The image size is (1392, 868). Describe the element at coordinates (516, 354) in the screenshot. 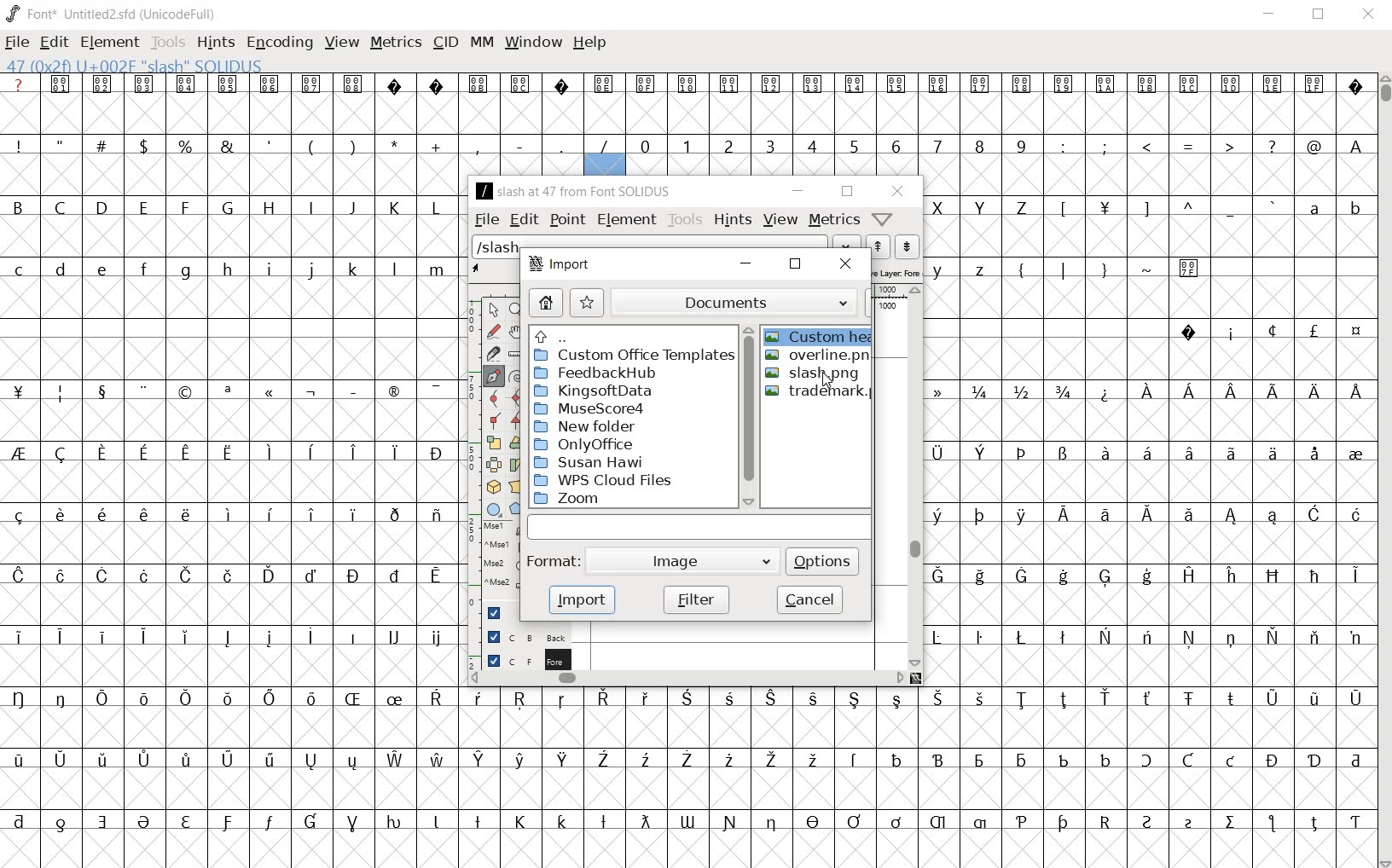

I see `measure a distance, angle between points` at that location.